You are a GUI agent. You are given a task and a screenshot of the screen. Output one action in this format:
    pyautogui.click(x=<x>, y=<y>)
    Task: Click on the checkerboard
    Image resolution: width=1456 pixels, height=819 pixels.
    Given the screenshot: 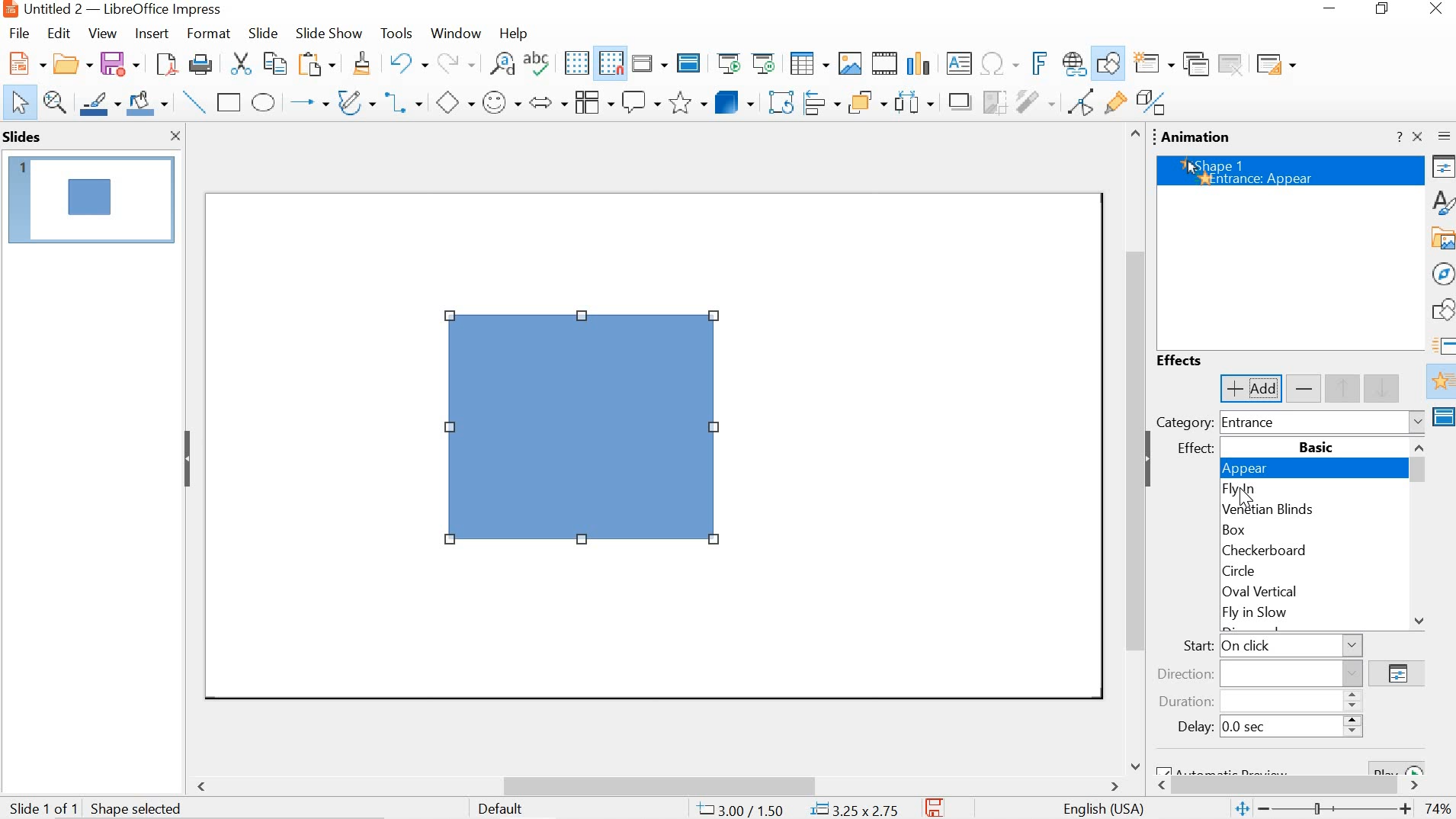 What is the action you would take?
    pyautogui.click(x=1304, y=550)
    